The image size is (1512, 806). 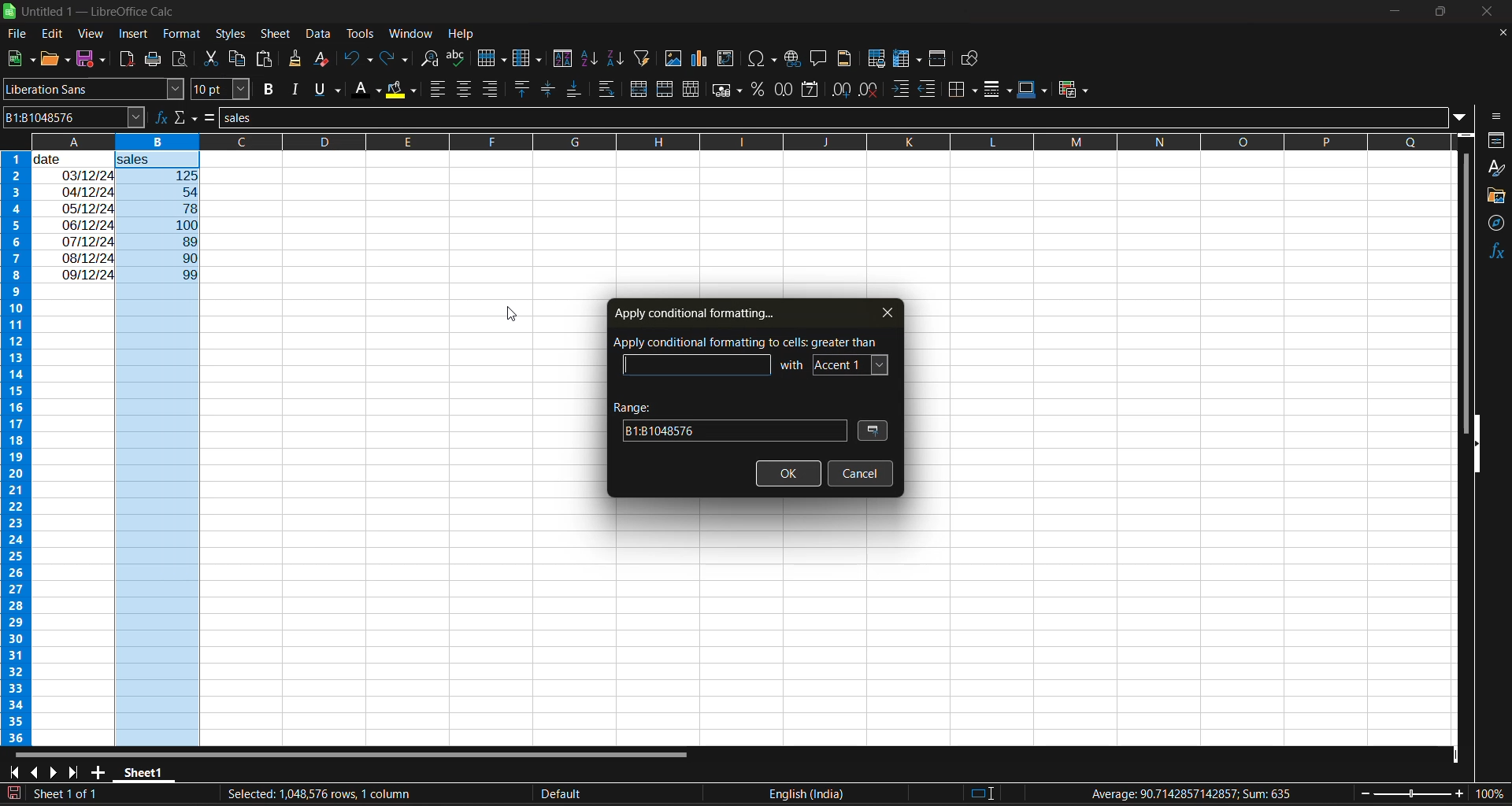 What do you see at coordinates (548, 90) in the screenshot?
I see `center vertically` at bounding box center [548, 90].